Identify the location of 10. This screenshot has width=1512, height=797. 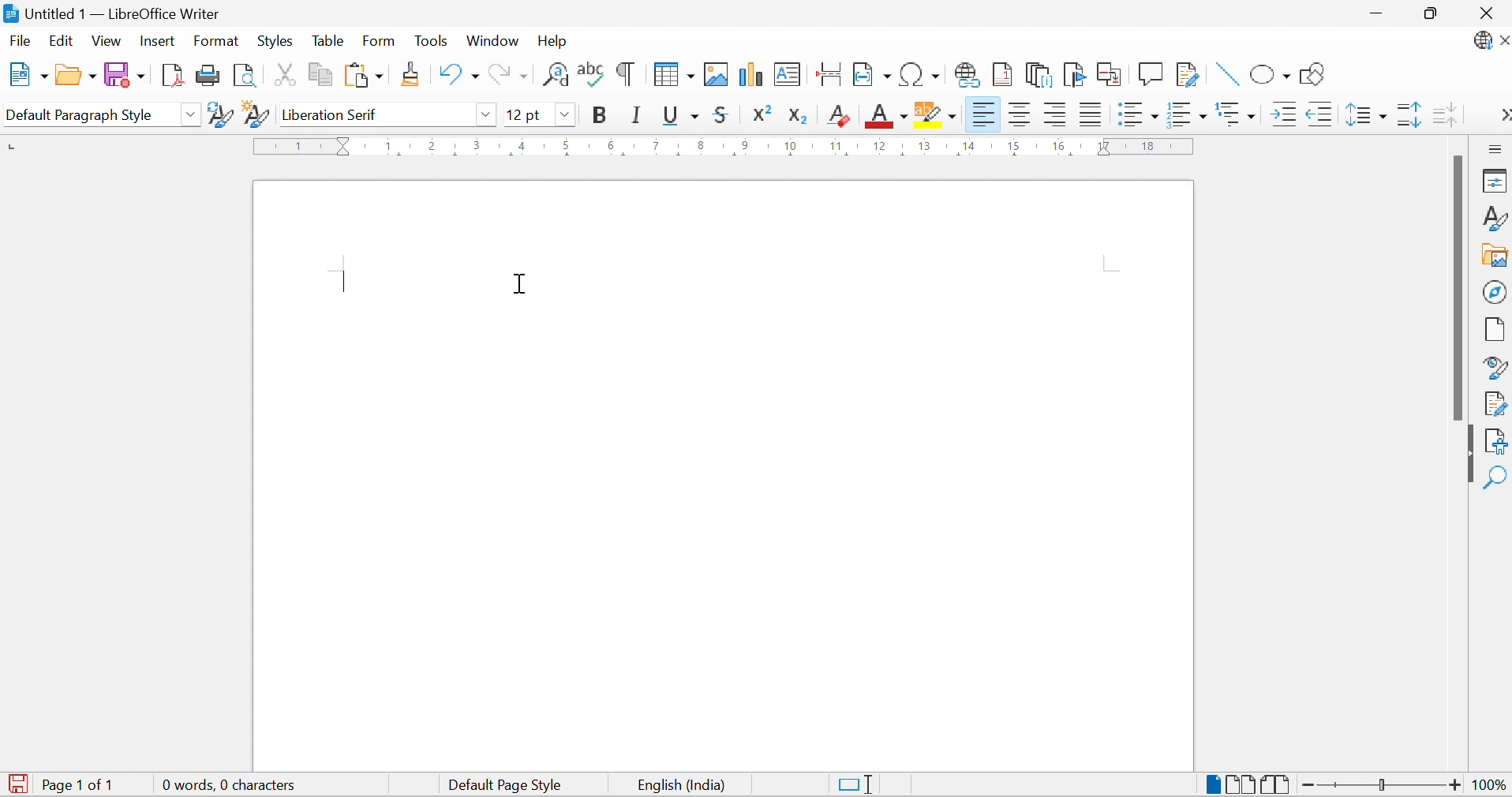
(791, 146).